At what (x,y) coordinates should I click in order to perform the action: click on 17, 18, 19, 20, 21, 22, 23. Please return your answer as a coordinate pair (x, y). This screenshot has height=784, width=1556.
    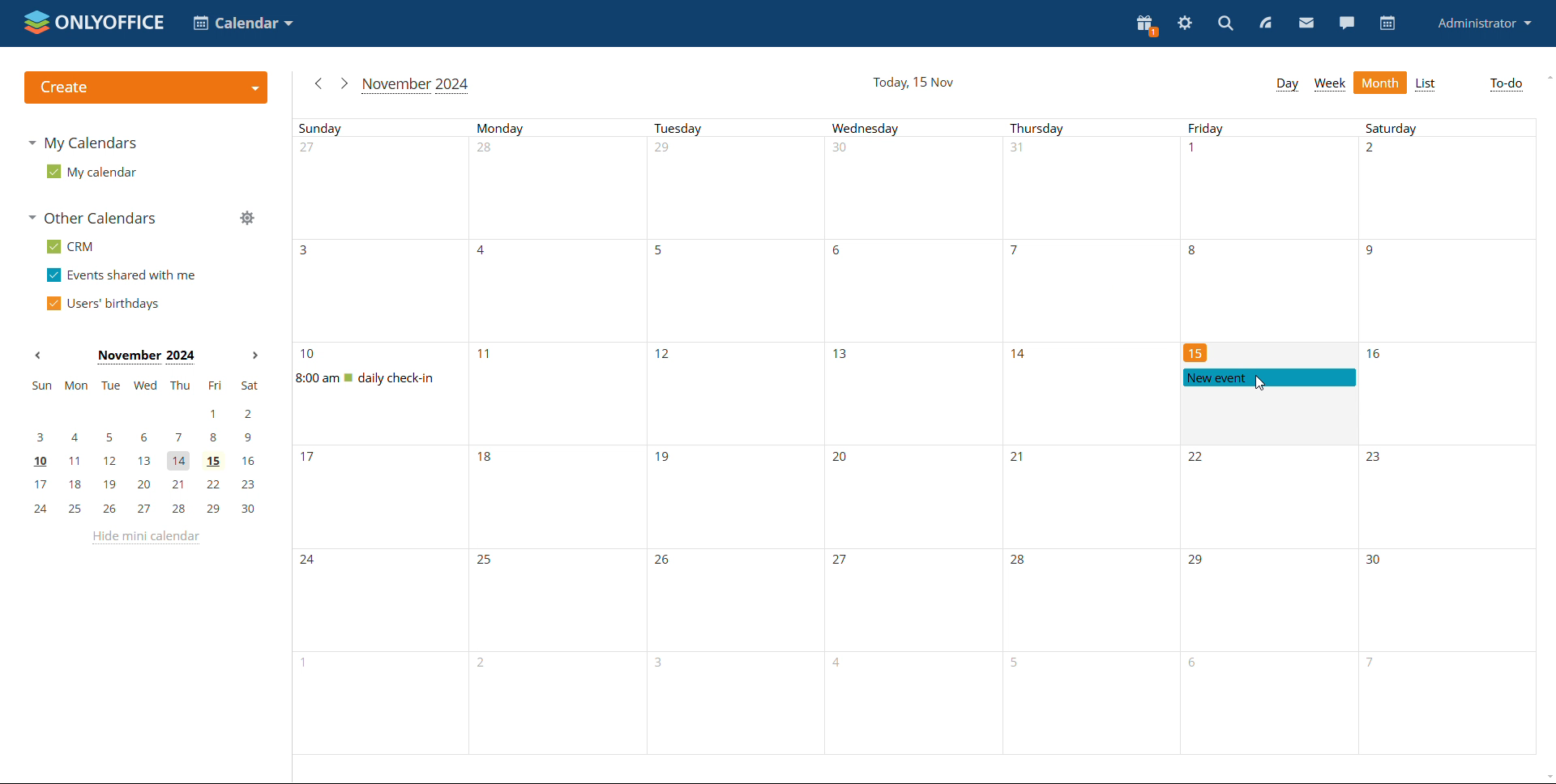
    Looking at the image, I should click on (148, 483).